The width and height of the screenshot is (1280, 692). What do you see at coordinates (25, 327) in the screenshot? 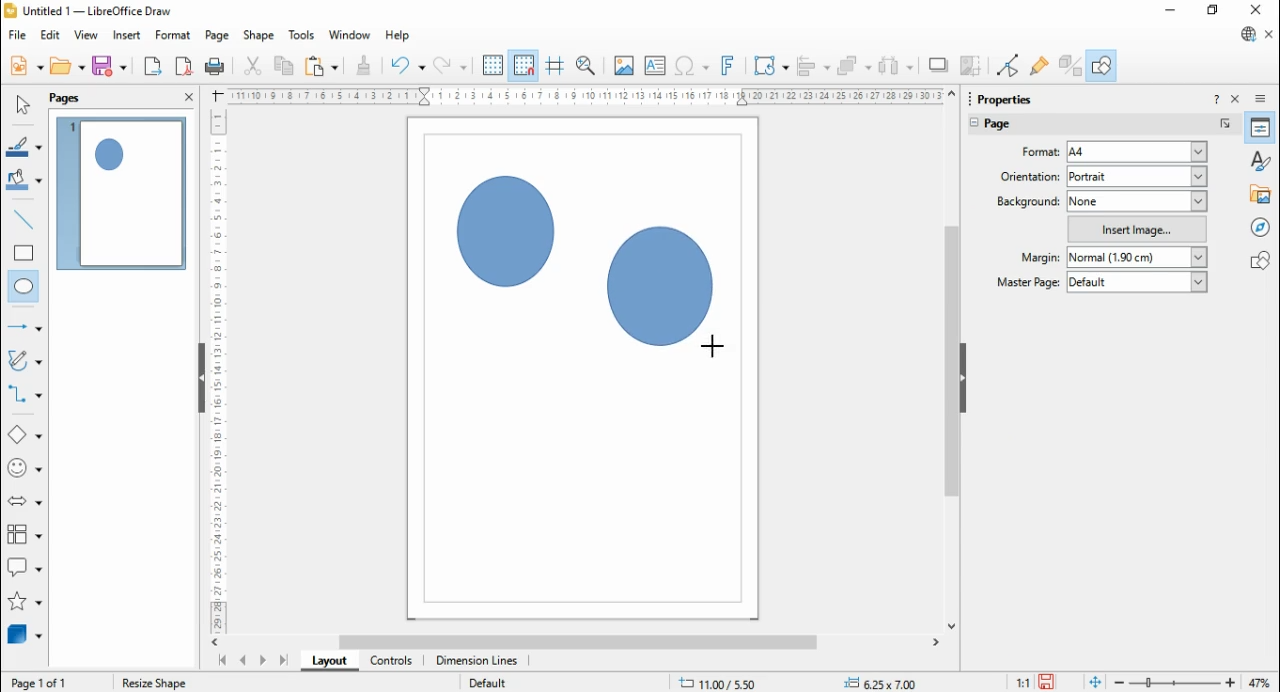
I see `line and arrows` at bounding box center [25, 327].